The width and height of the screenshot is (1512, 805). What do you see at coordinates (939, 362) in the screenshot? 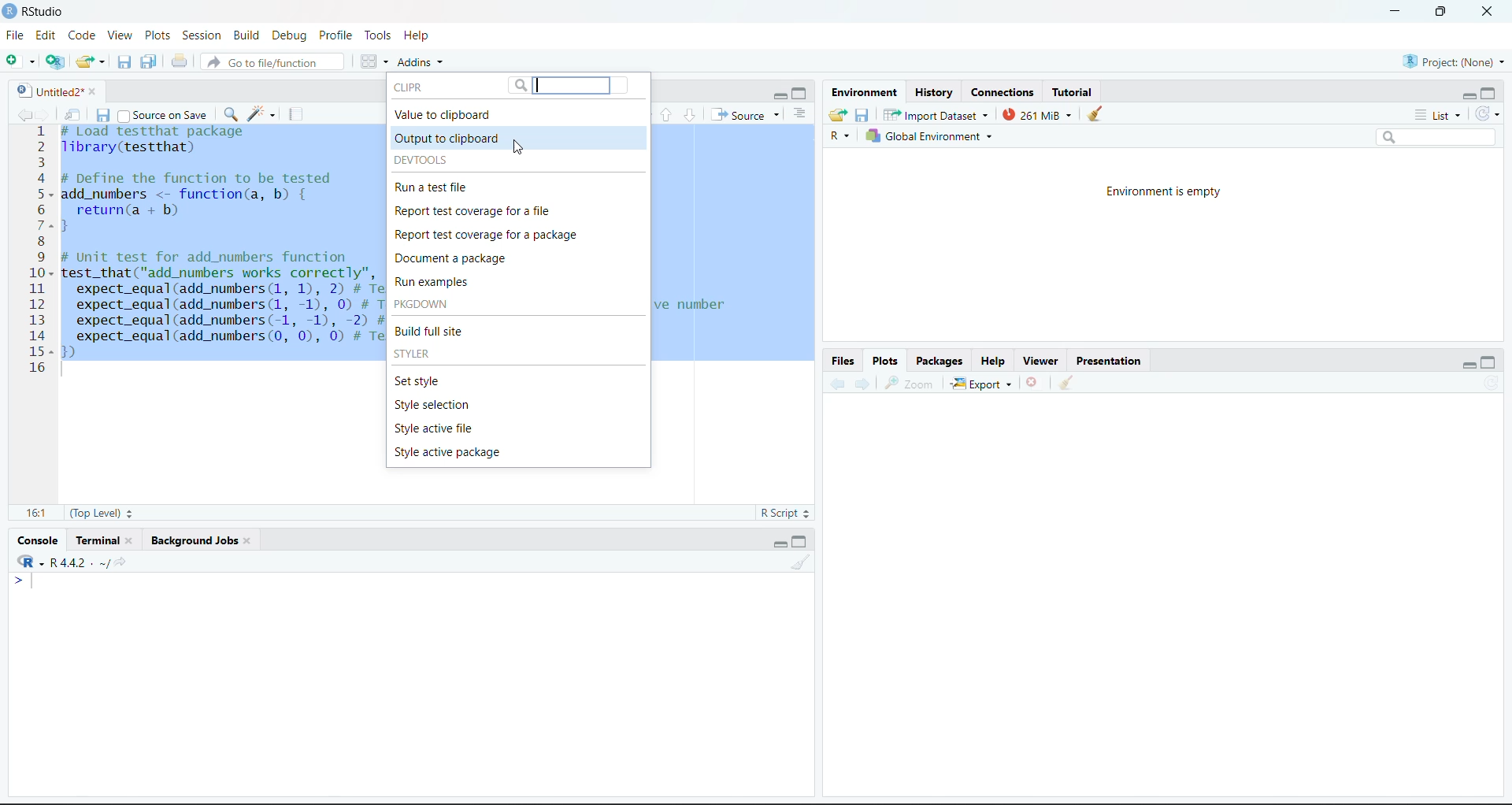
I see `Packages` at bounding box center [939, 362].